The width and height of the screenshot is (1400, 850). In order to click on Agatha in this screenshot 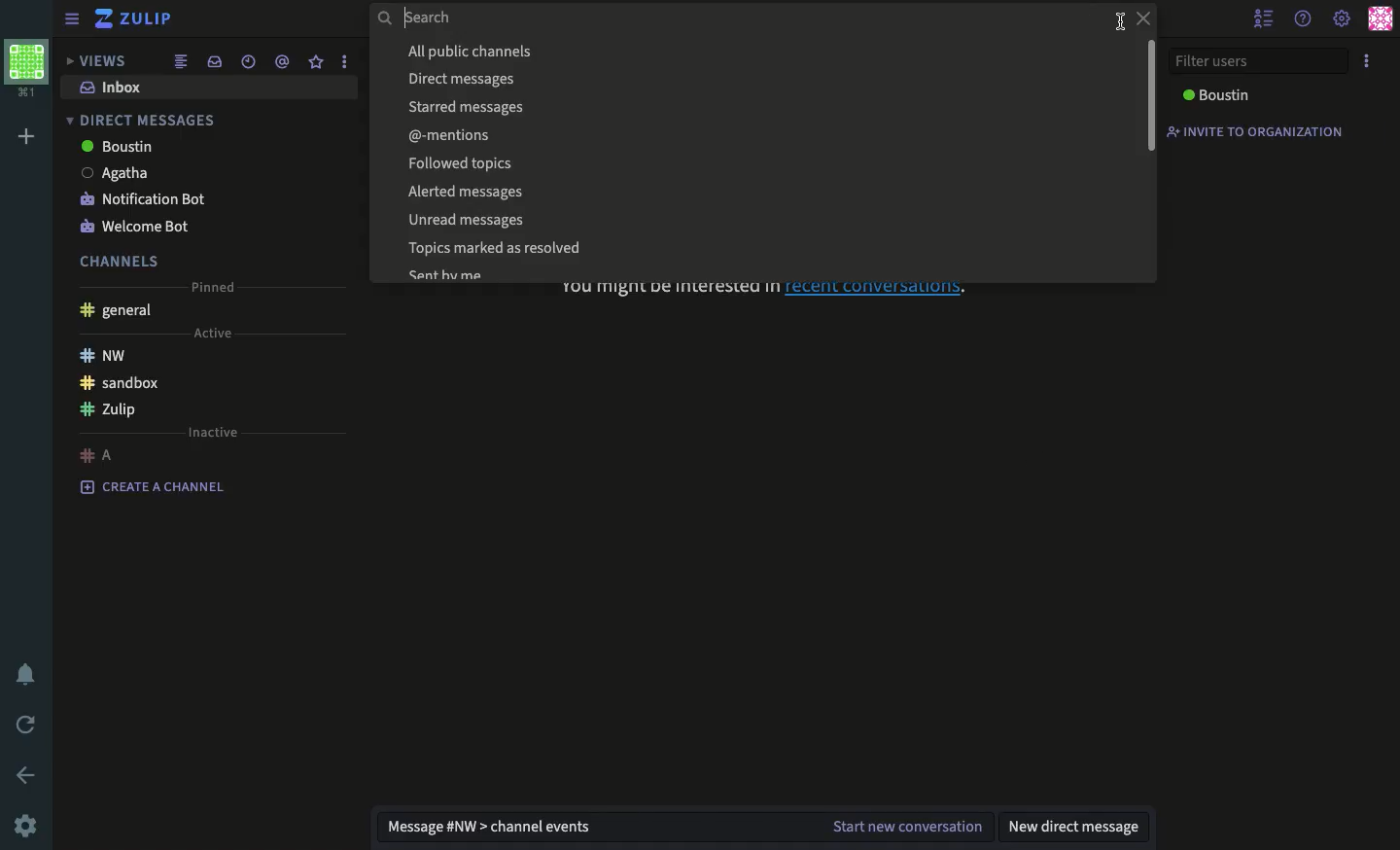, I will do `click(116, 174)`.